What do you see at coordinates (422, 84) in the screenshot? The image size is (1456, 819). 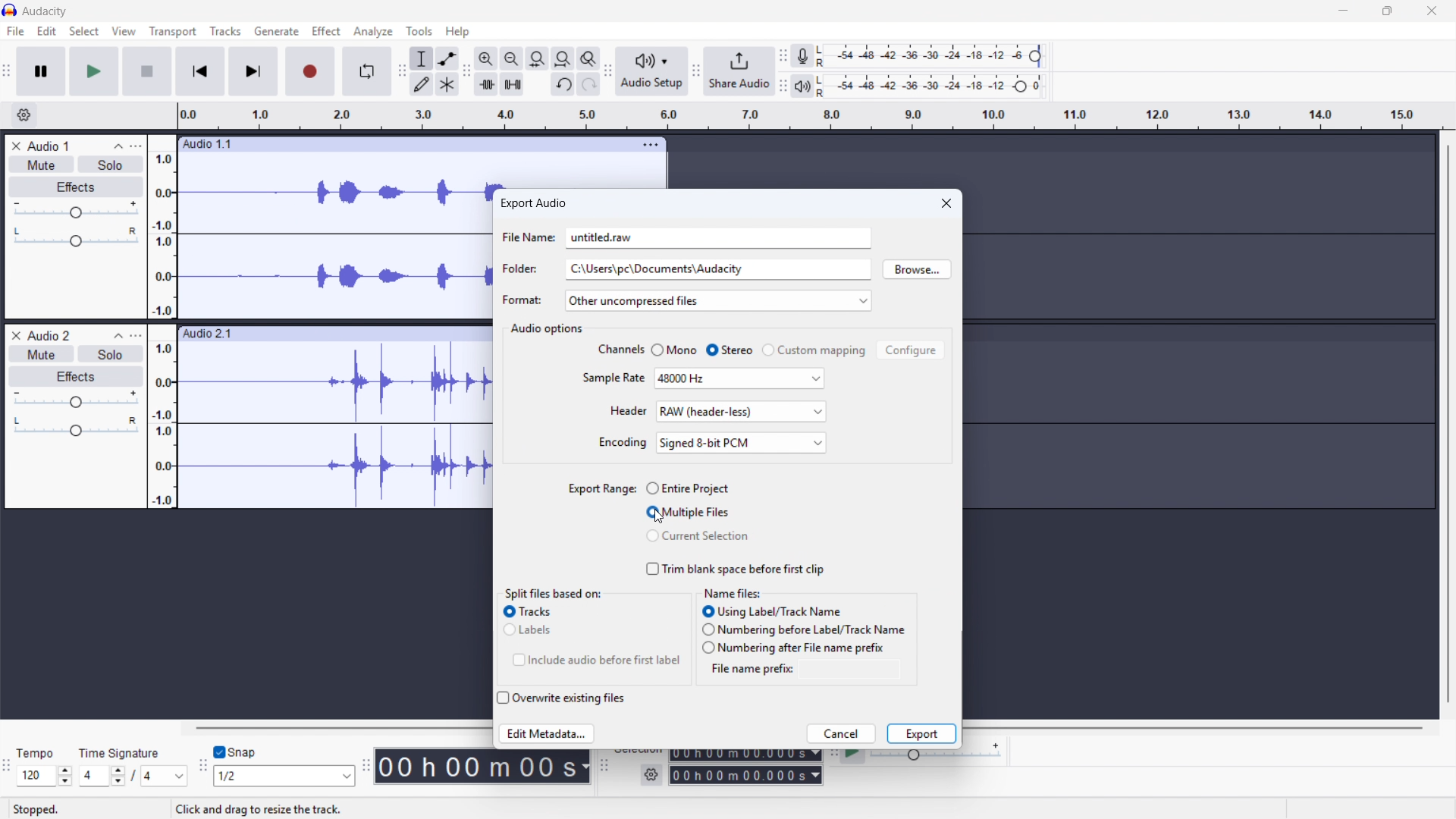 I see `Draw tool ` at bounding box center [422, 84].